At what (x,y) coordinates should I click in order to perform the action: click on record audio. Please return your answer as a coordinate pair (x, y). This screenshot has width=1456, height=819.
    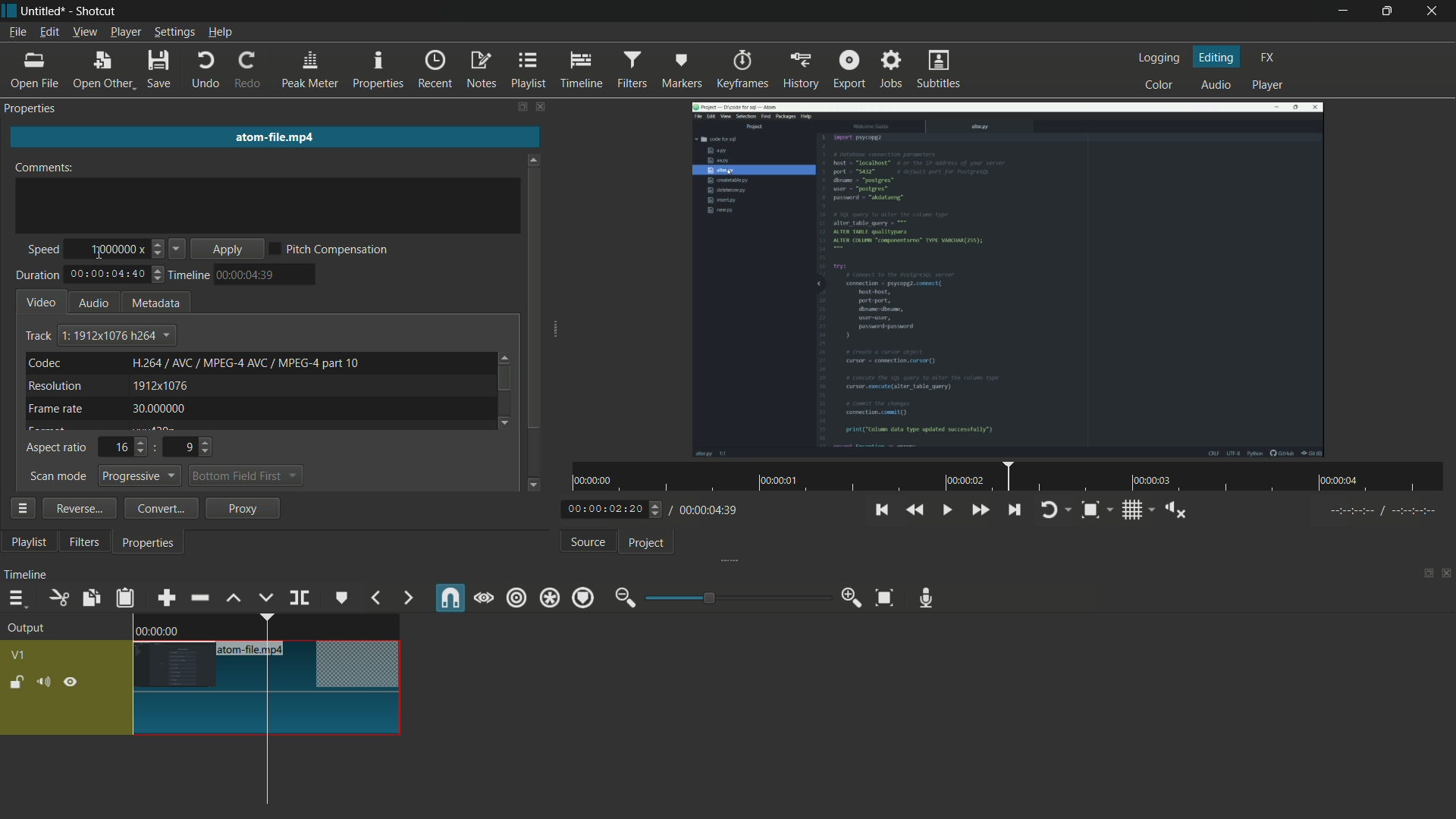
    Looking at the image, I should click on (927, 600).